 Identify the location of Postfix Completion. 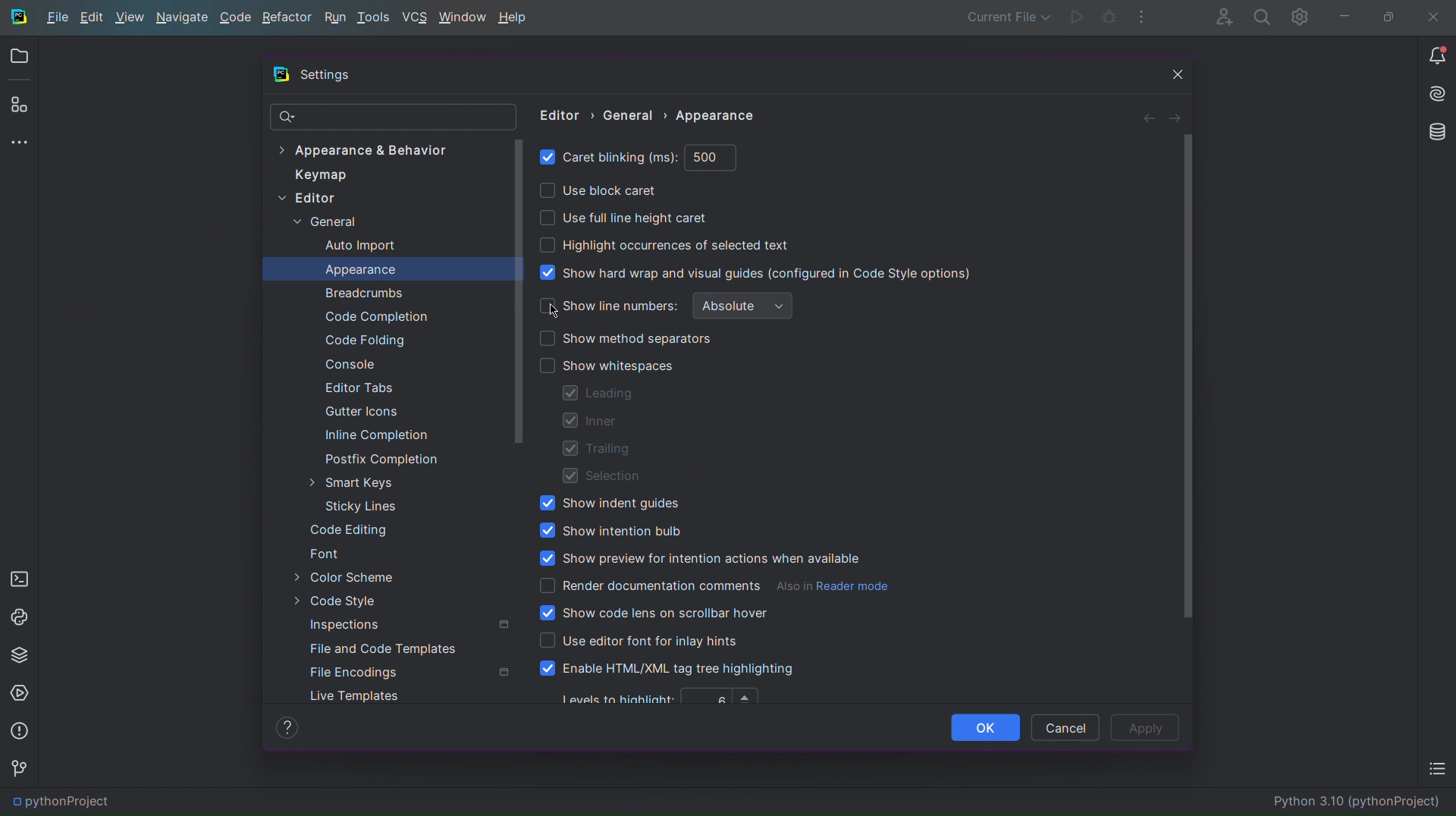
(383, 458).